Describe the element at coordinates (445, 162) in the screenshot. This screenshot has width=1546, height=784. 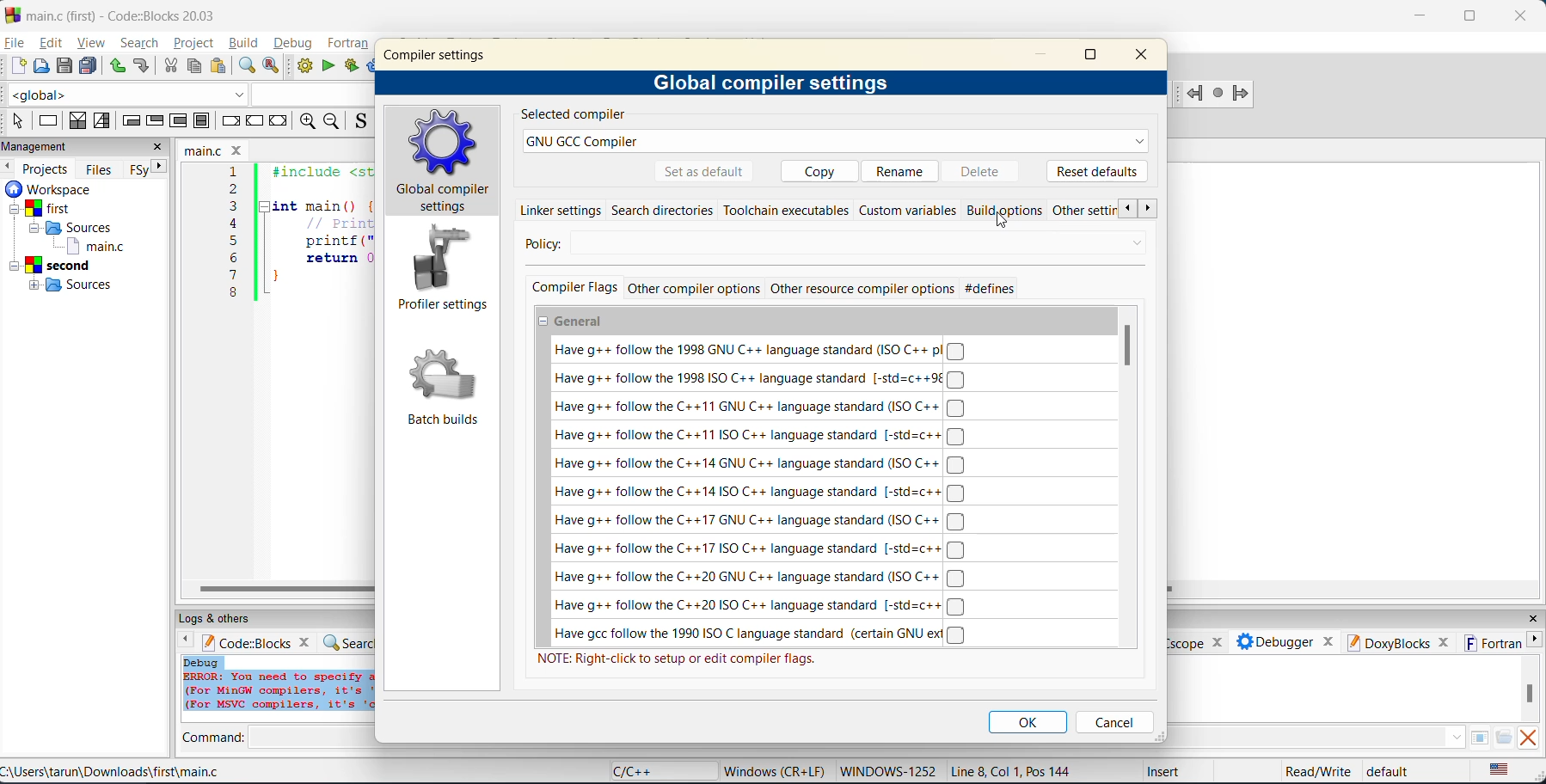
I see `global compiler settings` at that location.